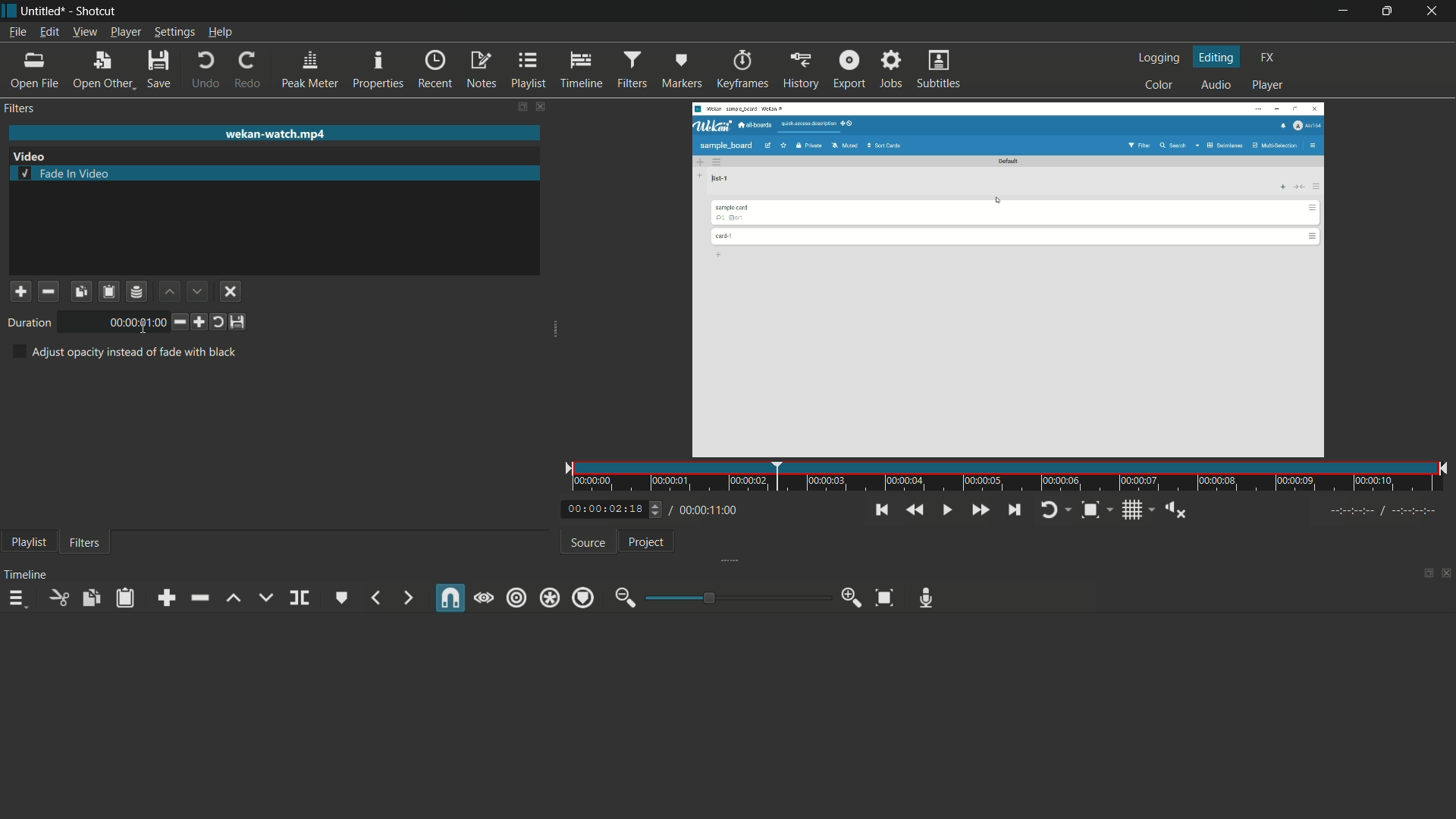 This screenshot has width=1456, height=819. What do you see at coordinates (980, 510) in the screenshot?
I see `quickly play forward` at bounding box center [980, 510].